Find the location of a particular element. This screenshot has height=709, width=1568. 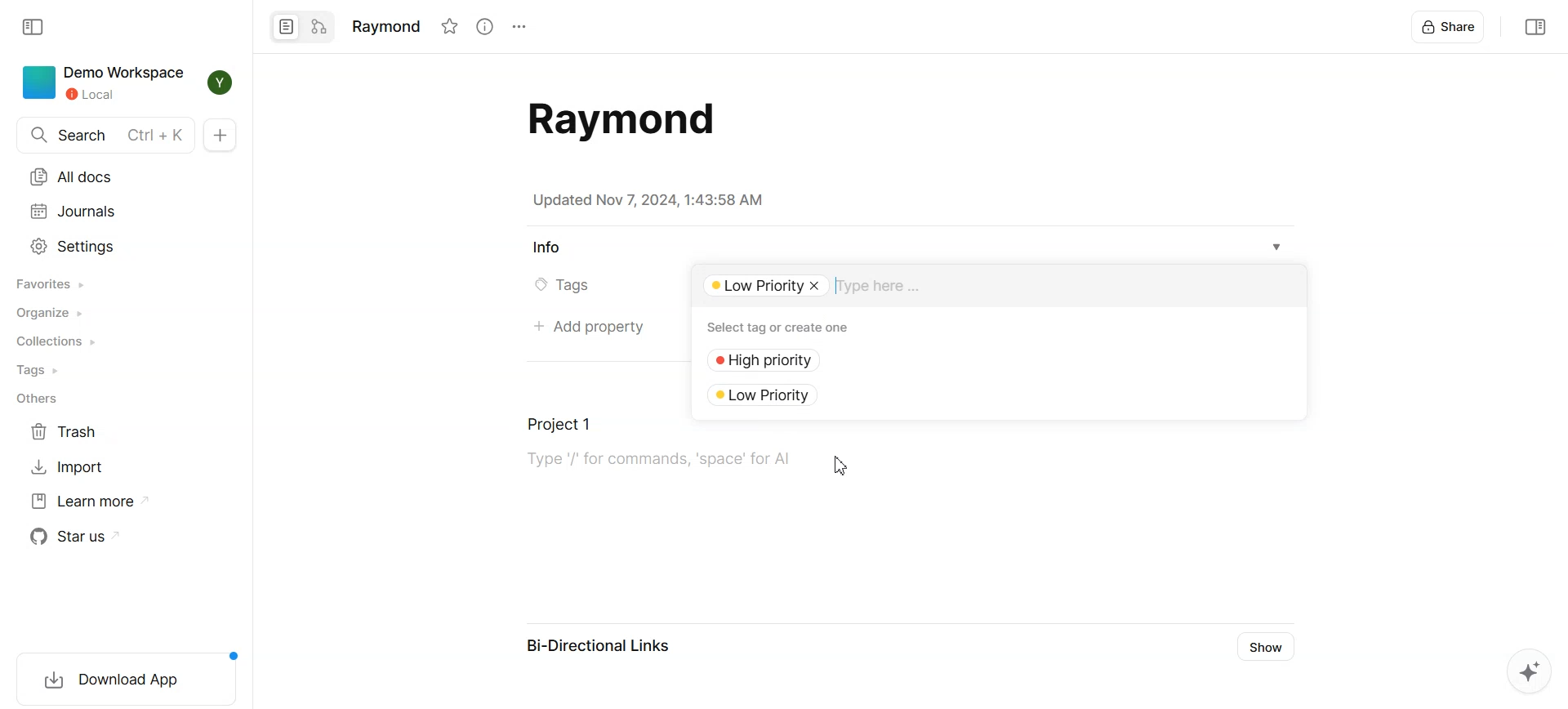

Edgeless is located at coordinates (319, 27).